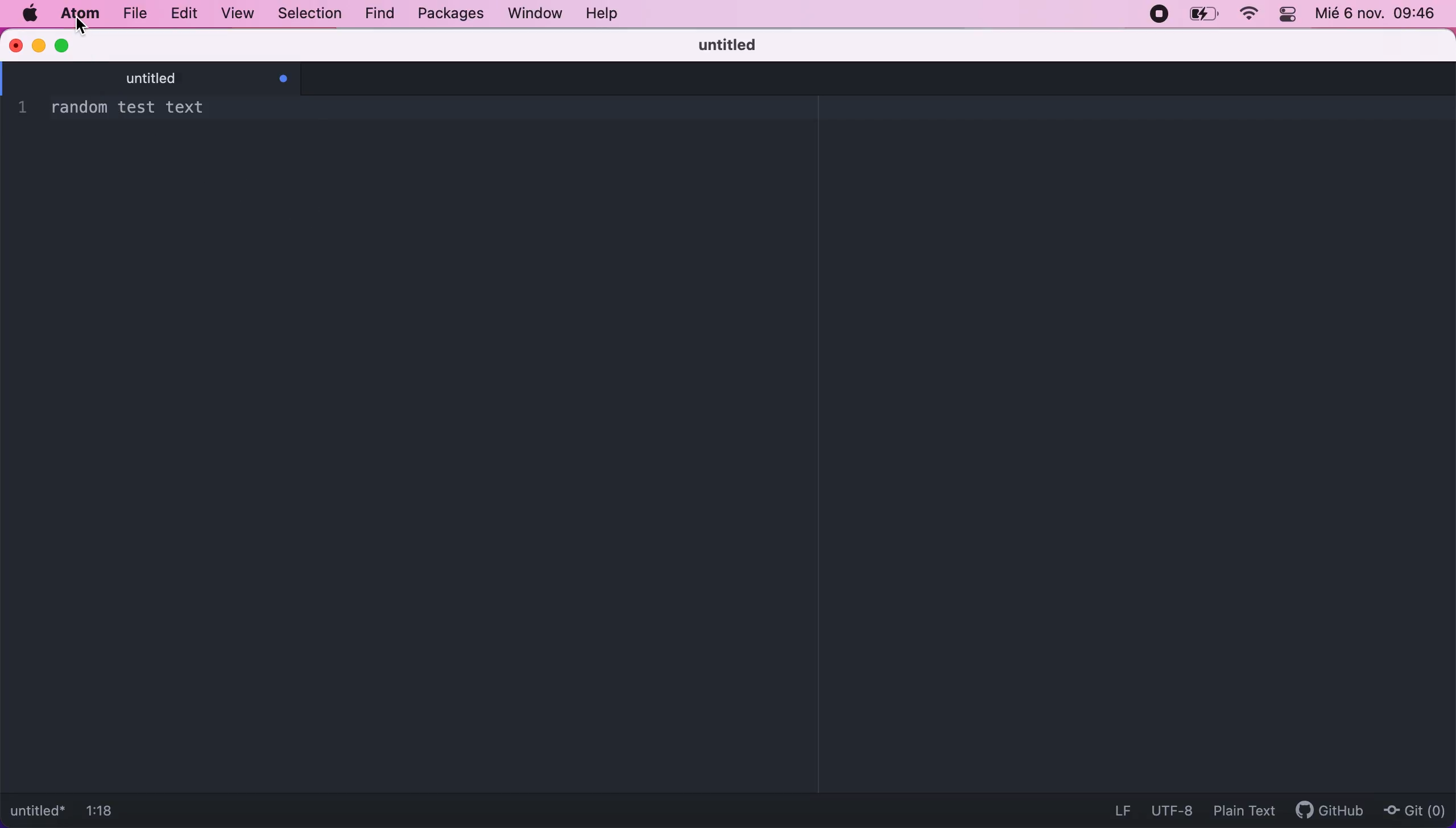 The height and width of the screenshot is (828, 1456). What do you see at coordinates (121, 109) in the screenshot?
I see `1 random test text` at bounding box center [121, 109].